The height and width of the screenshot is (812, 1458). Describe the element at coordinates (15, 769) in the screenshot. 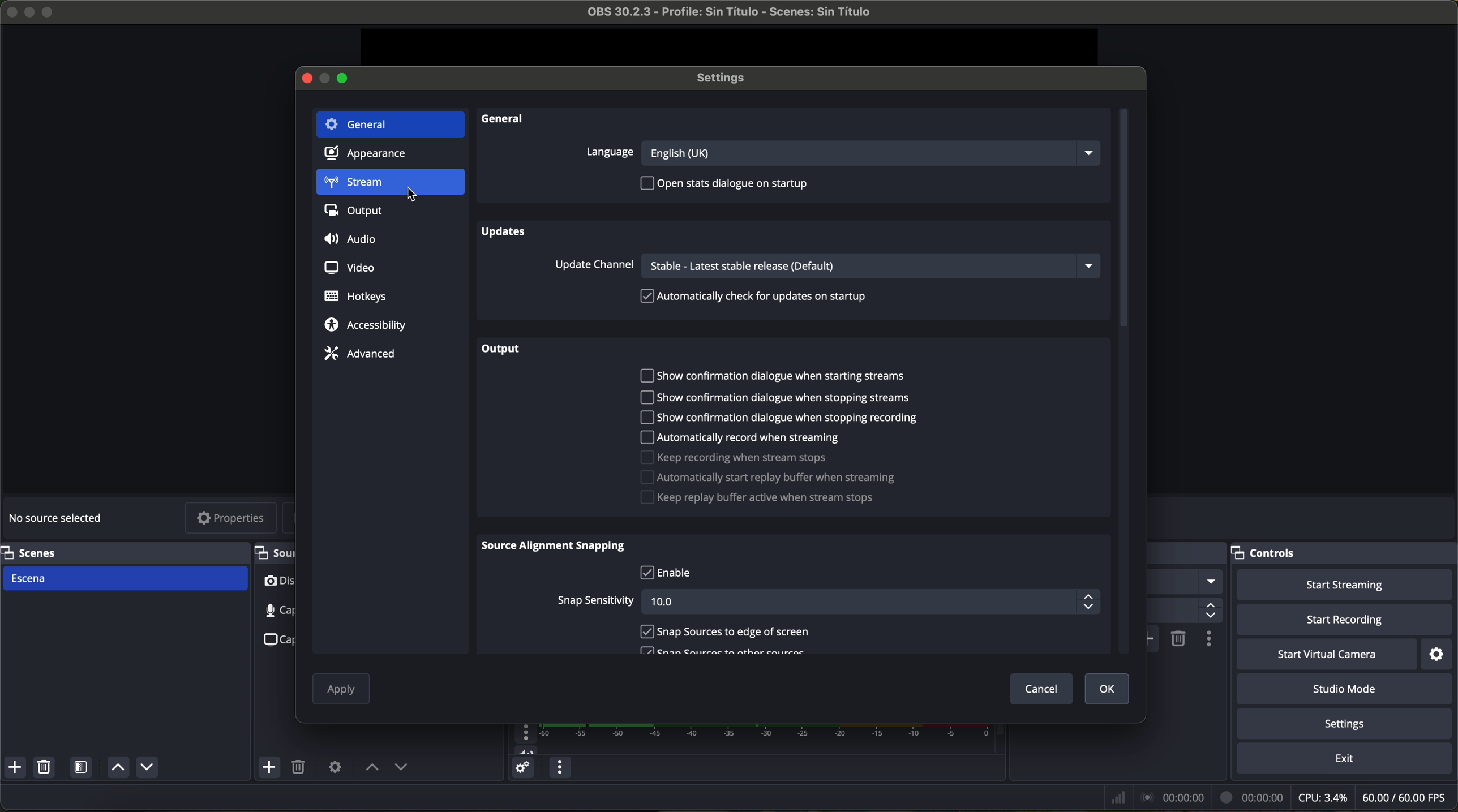

I see `add scene` at that location.